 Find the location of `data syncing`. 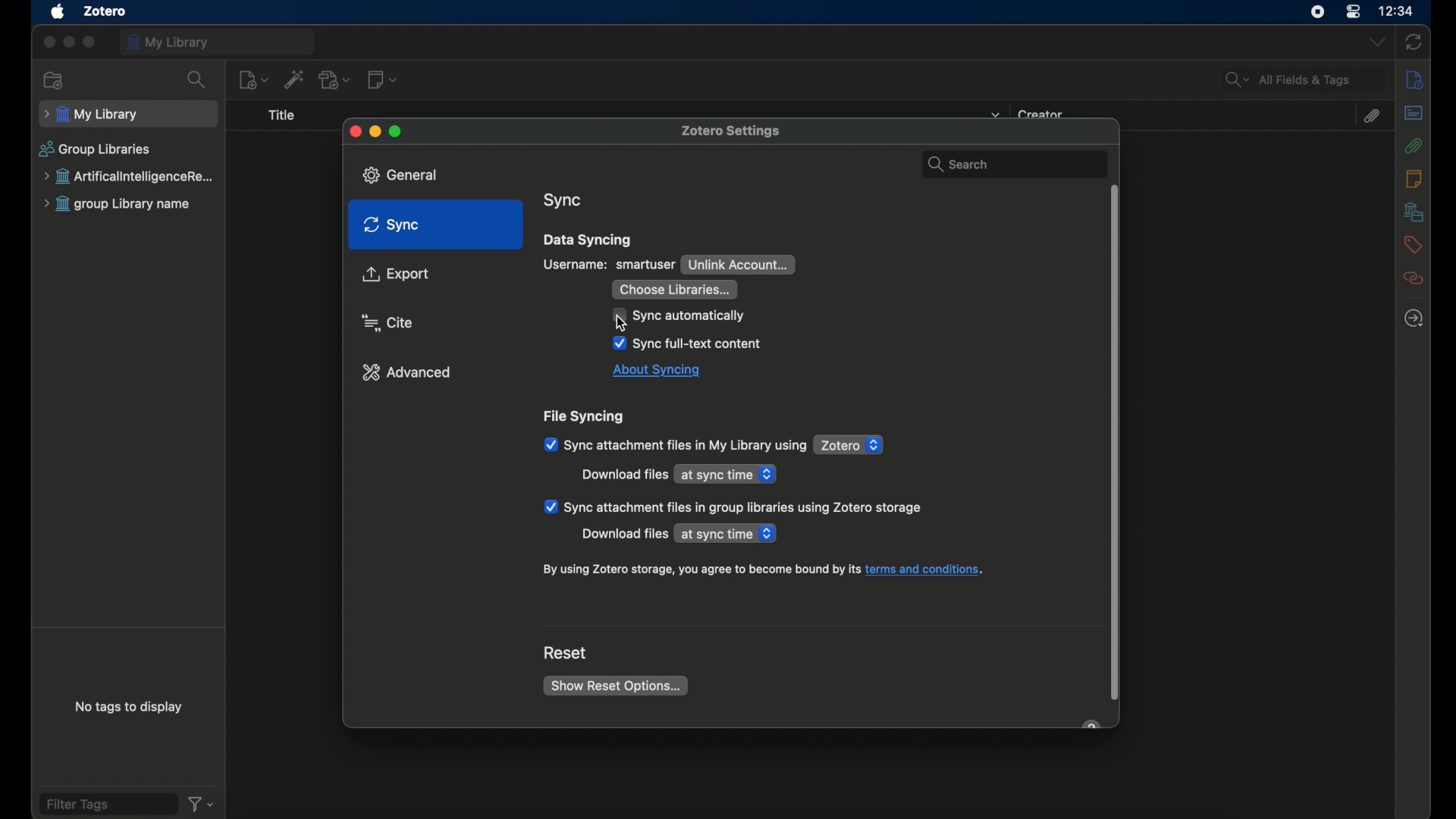

data syncing is located at coordinates (588, 240).